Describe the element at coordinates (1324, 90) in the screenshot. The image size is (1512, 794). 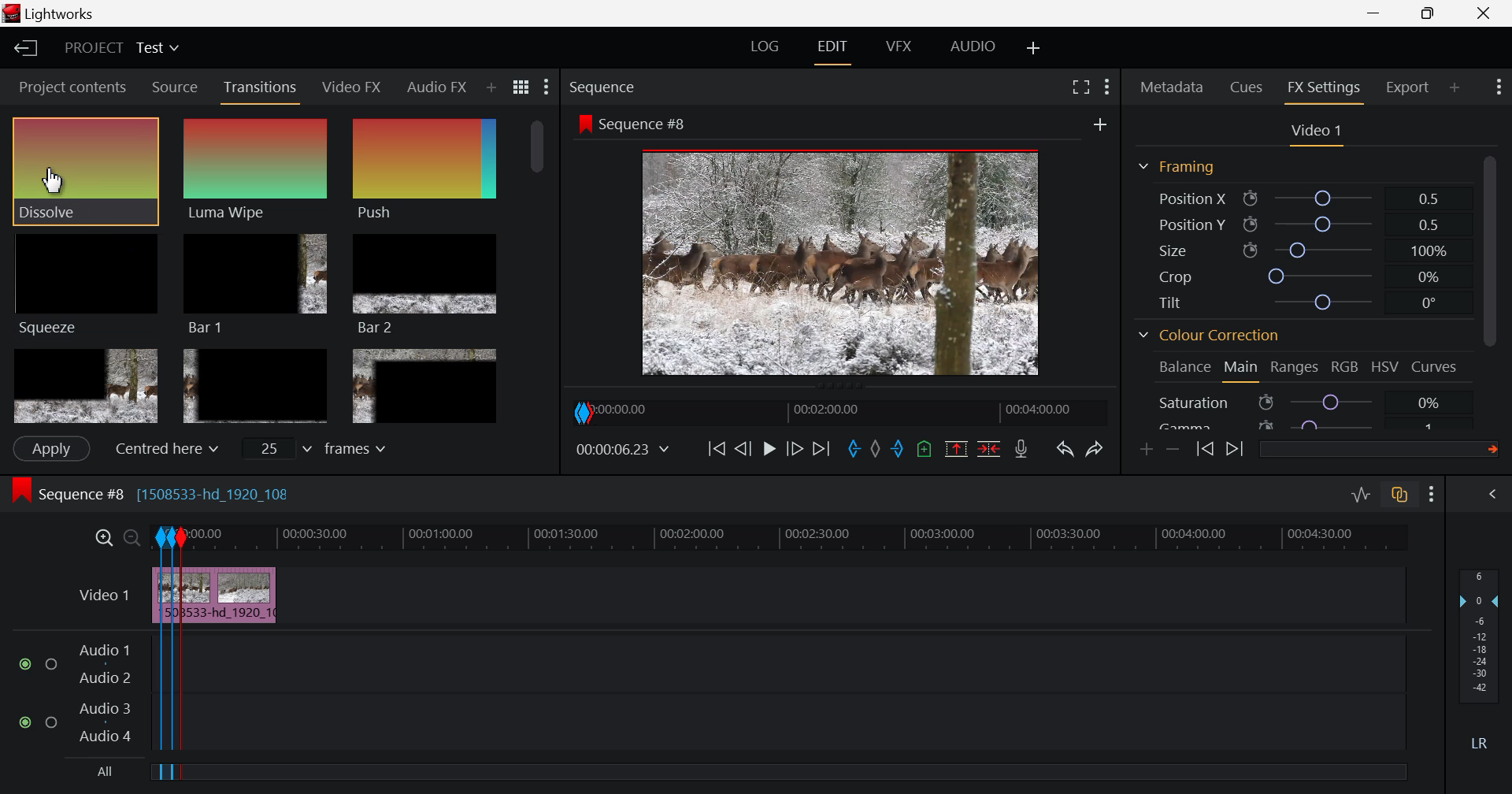
I see `FX Settings Open` at that location.